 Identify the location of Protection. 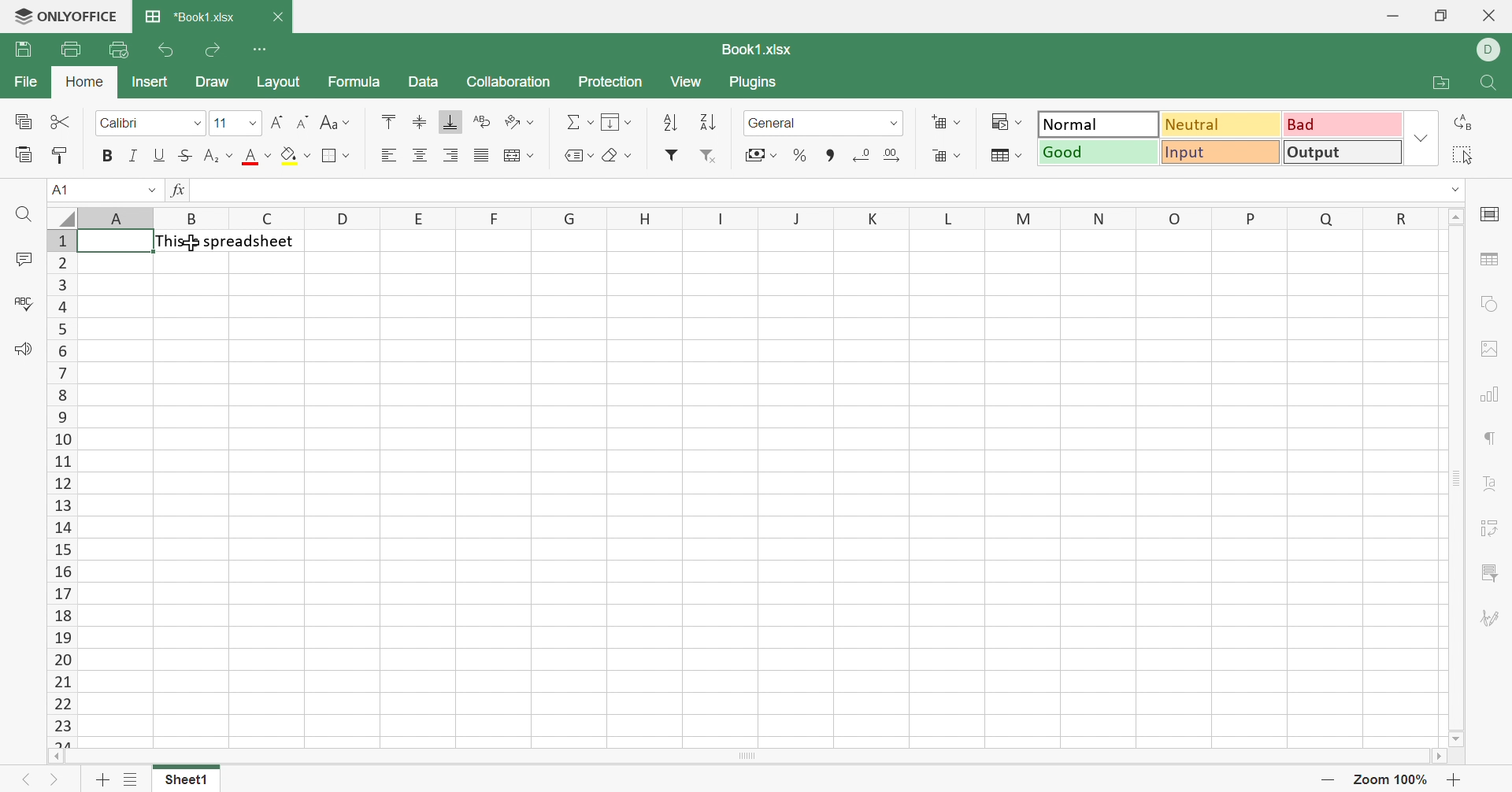
(609, 81).